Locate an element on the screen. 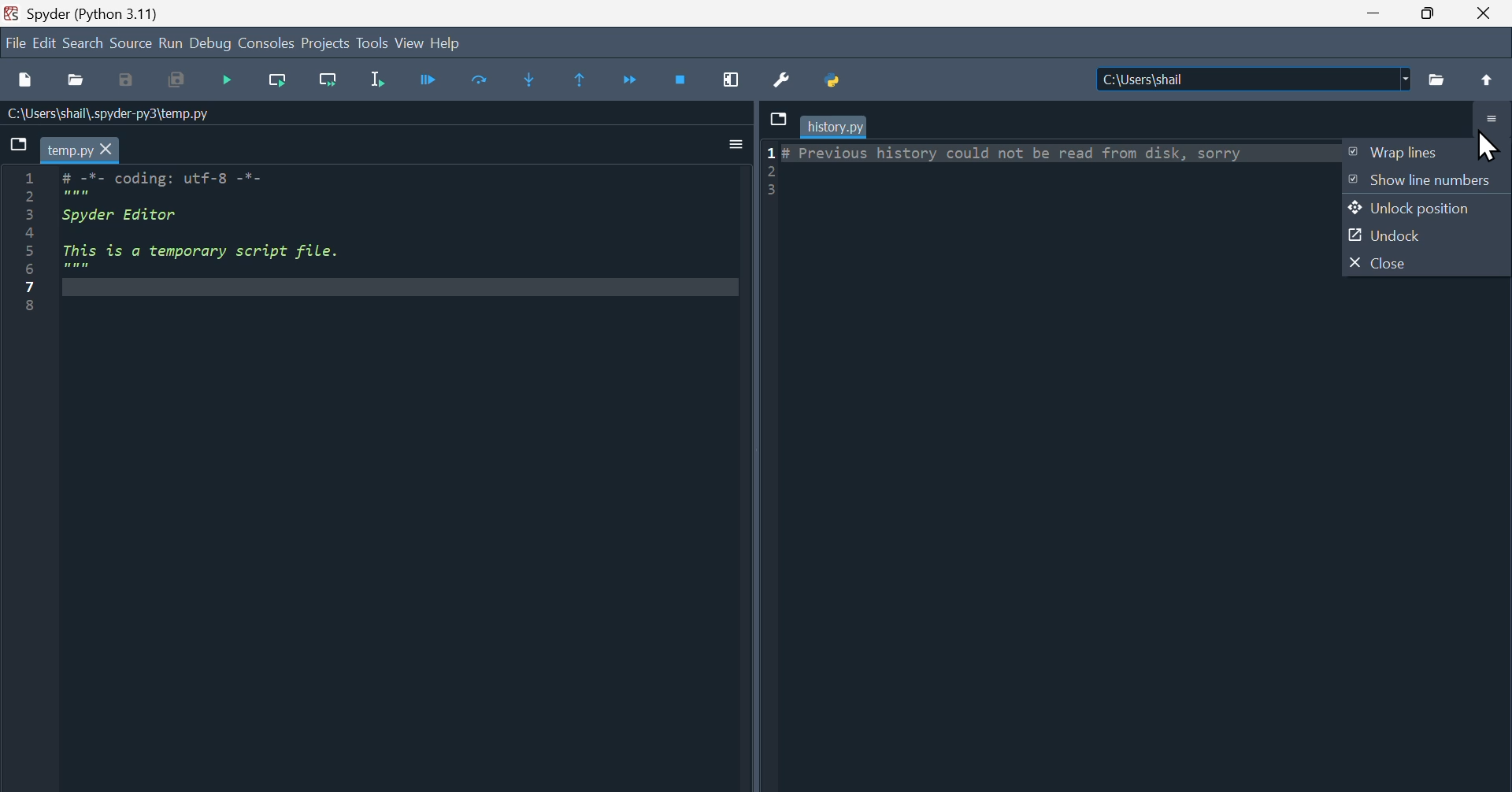  Uparrow is located at coordinates (1487, 79).